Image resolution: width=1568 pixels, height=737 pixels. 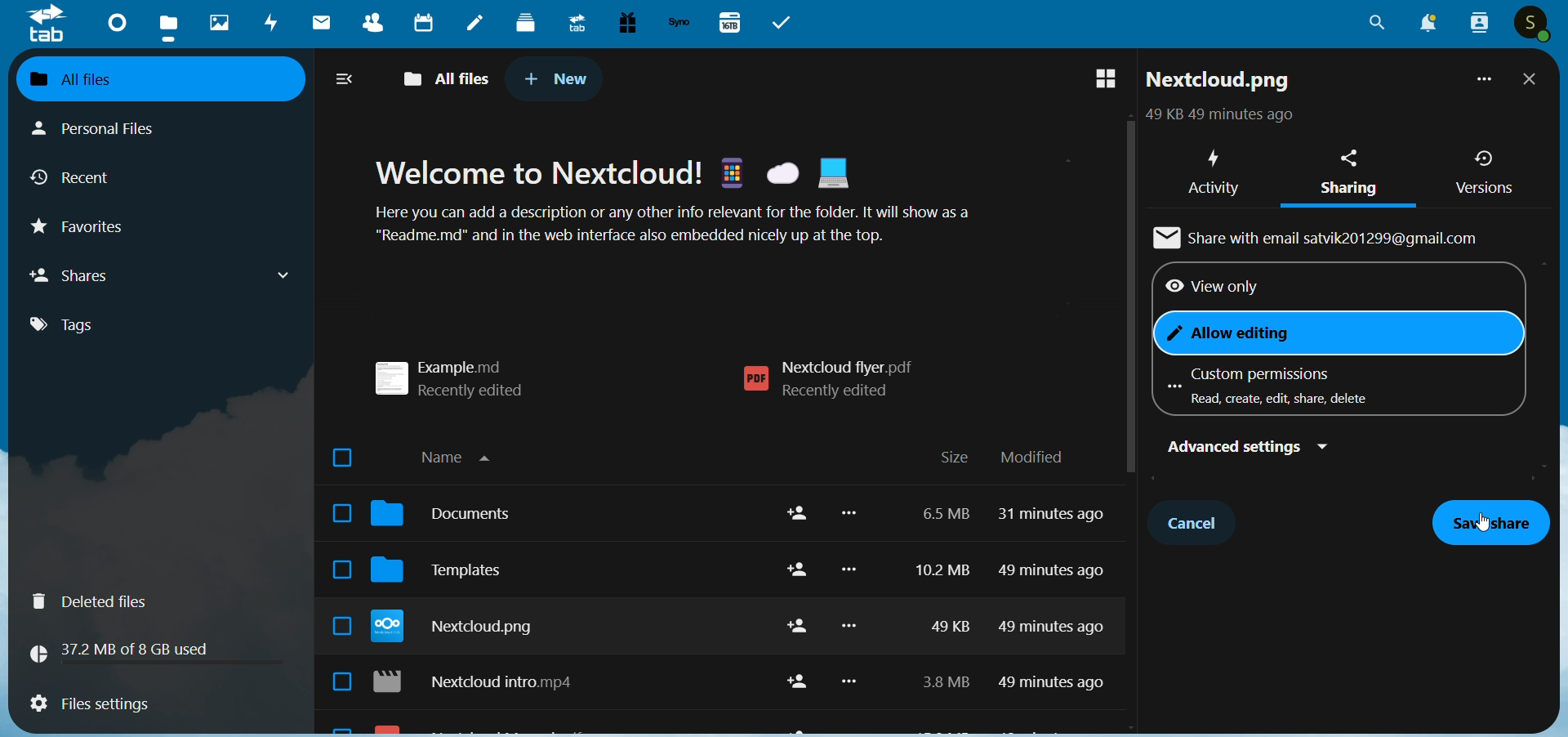 I want to click on nextcloud png, so click(x=1219, y=83).